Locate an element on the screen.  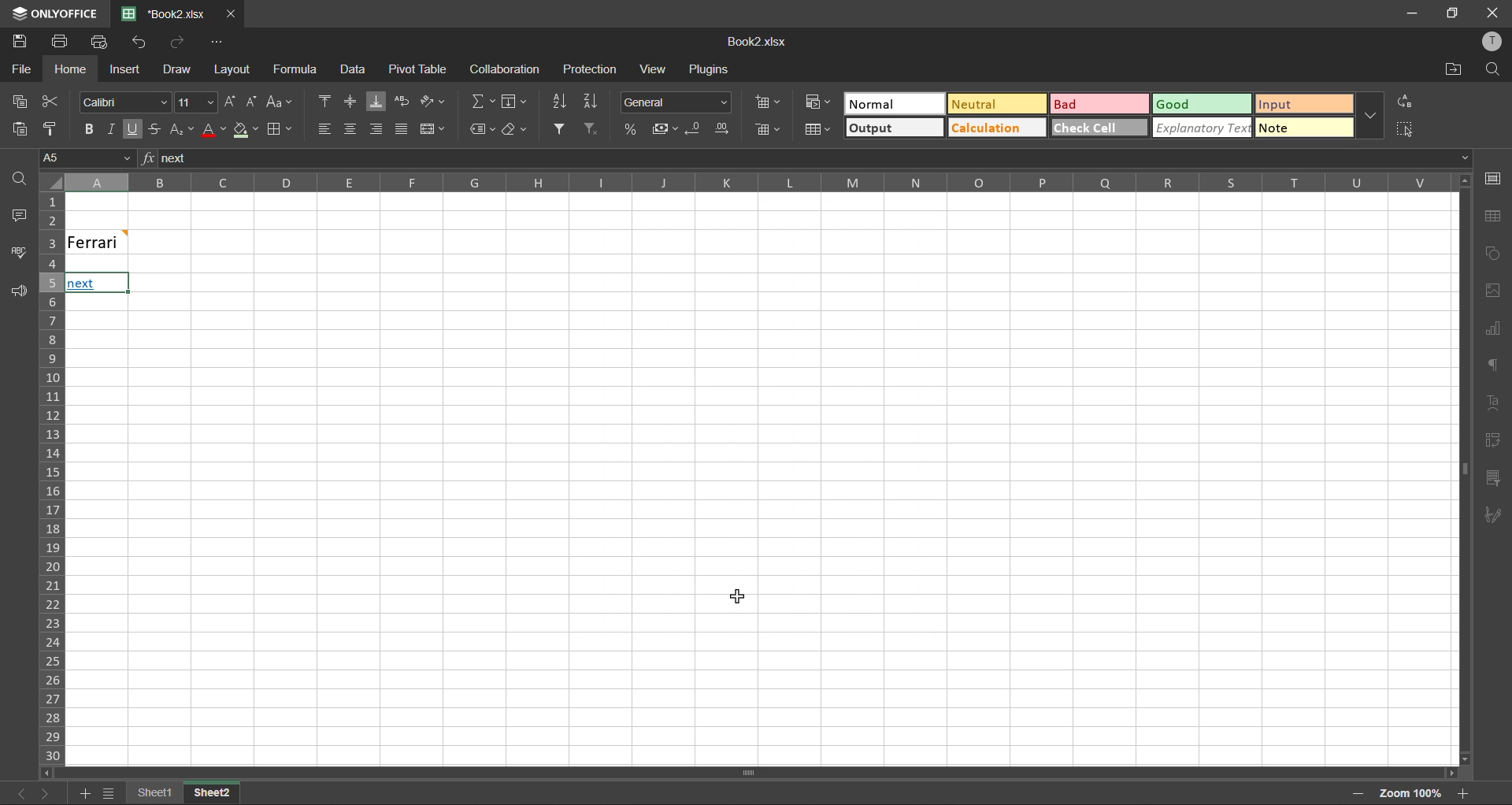
find is located at coordinates (1493, 69).